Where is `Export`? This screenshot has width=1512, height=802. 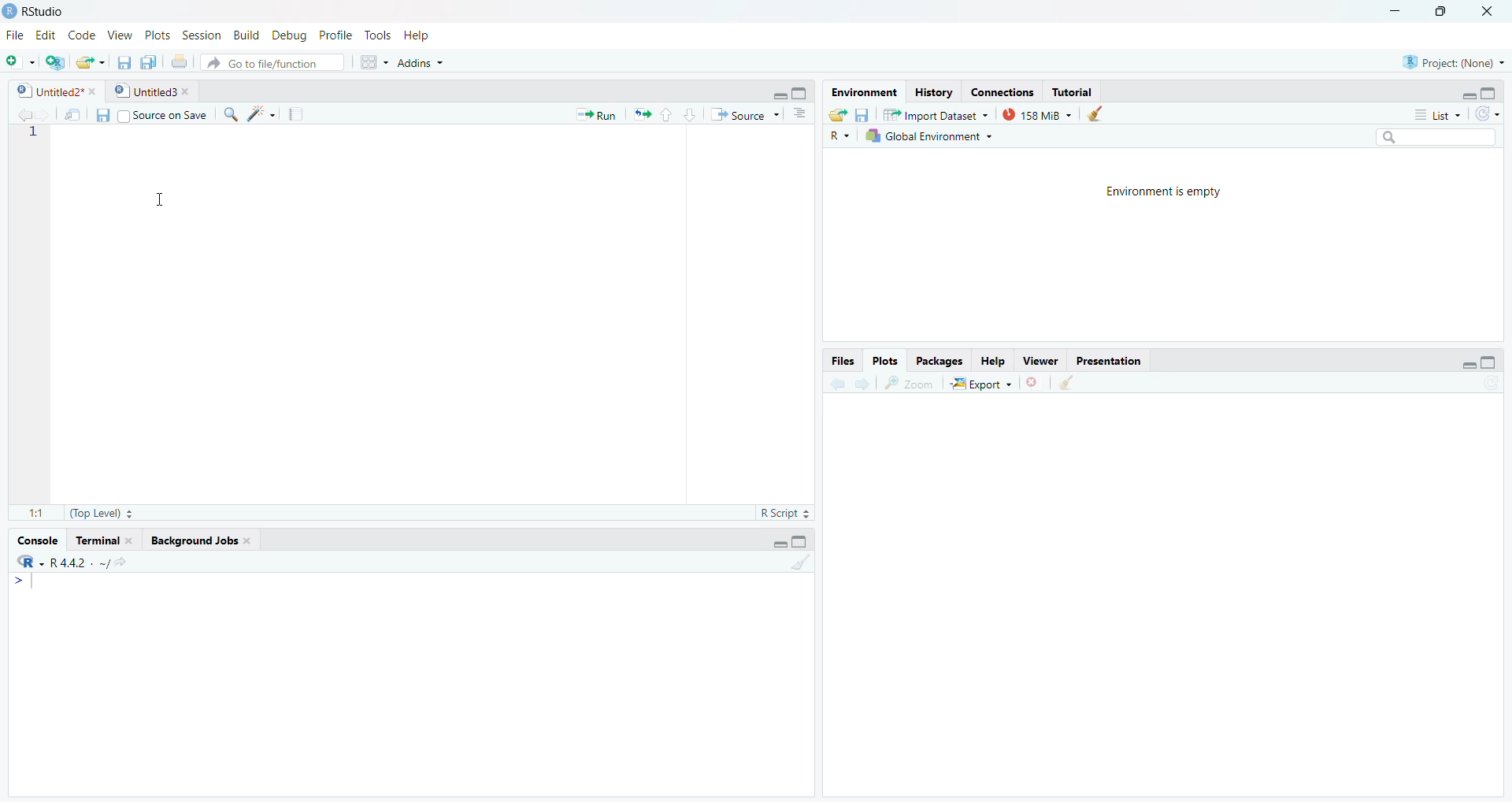
Export is located at coordinates (979, 384).